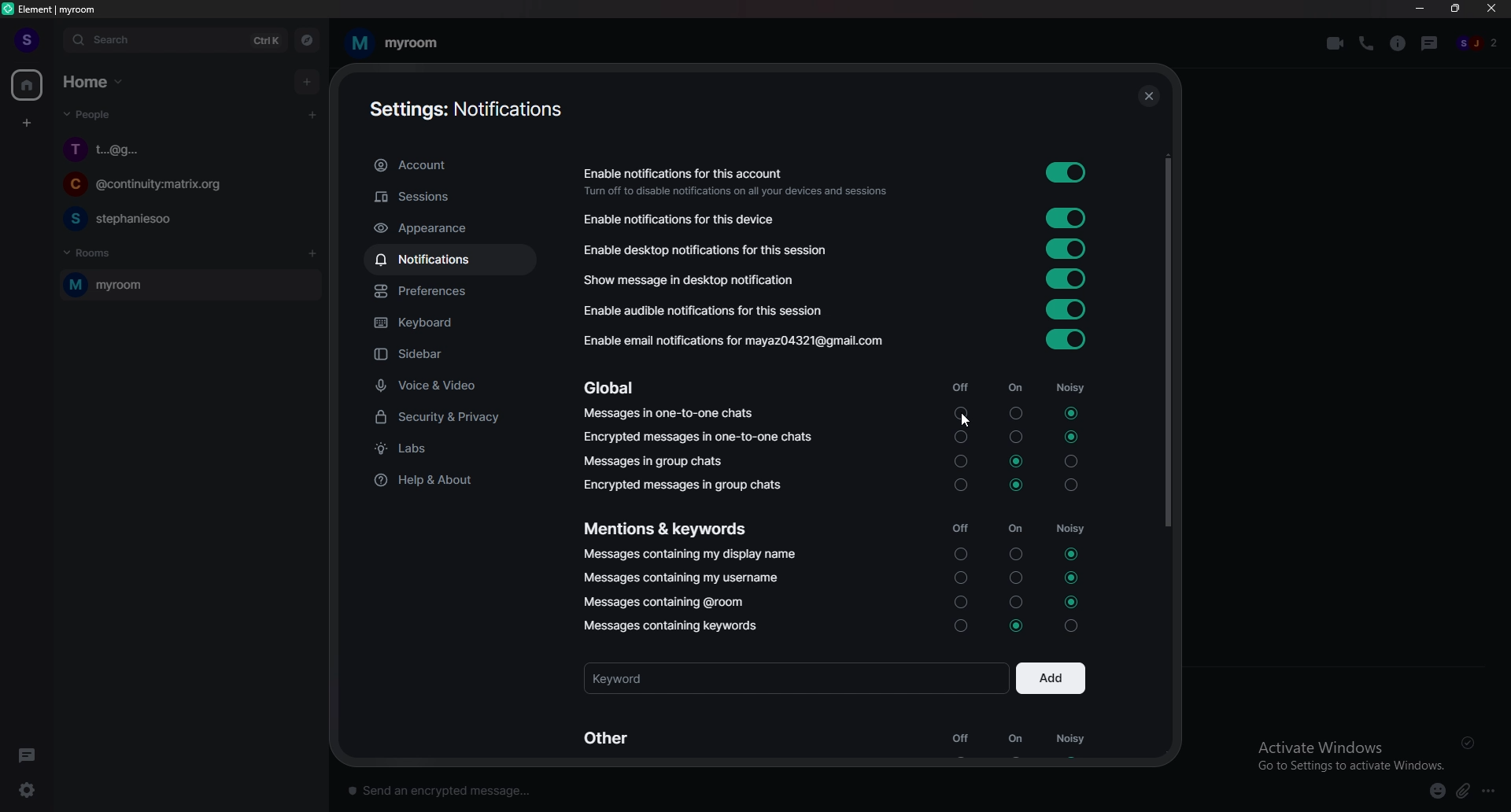 Image resolution: width=1511 pixels, height=812 pixels. I want to click on messages containing keywords, so click(668, 626).